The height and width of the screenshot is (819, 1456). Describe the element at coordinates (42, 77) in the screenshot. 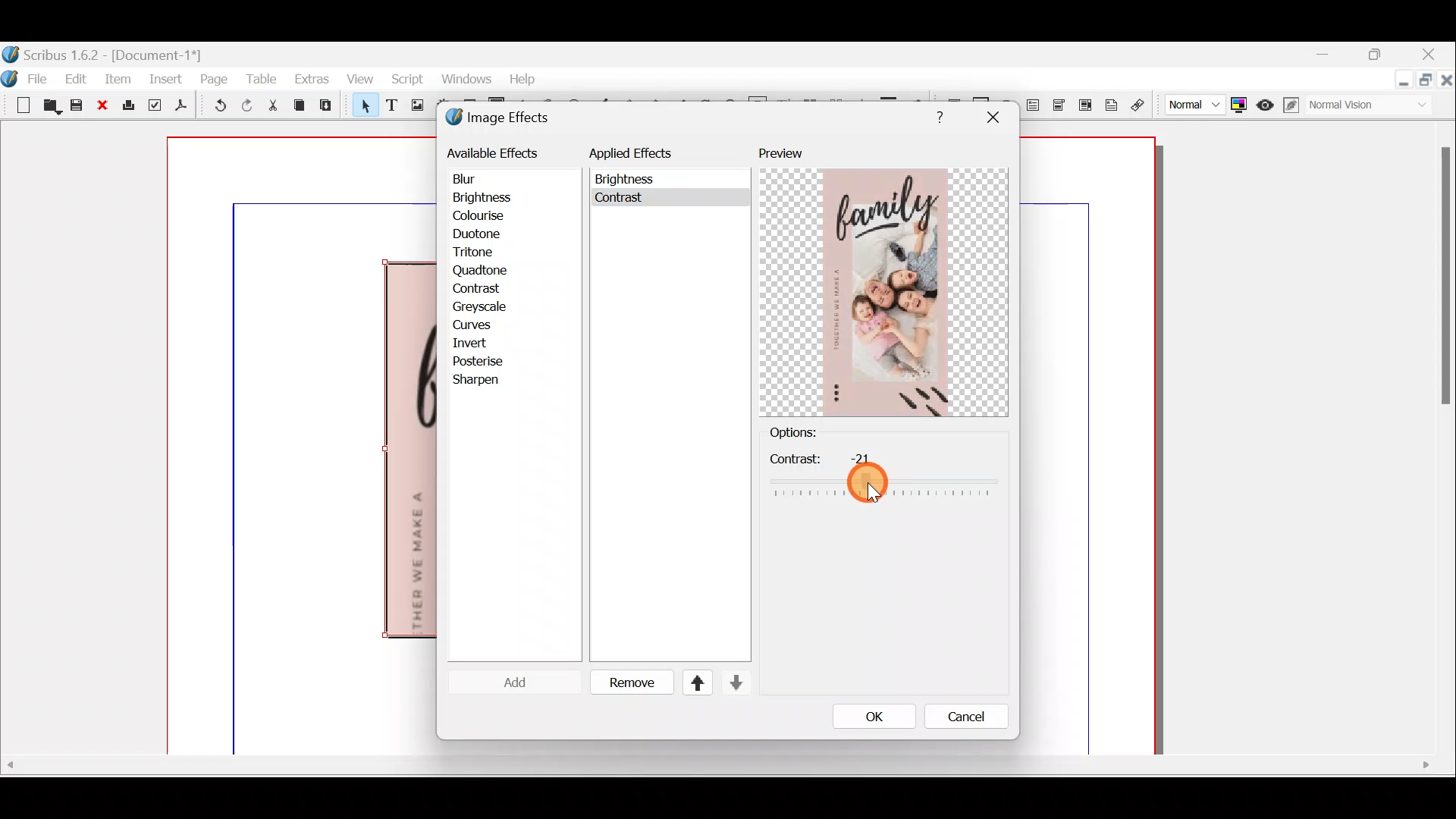

I see `File` at that location.